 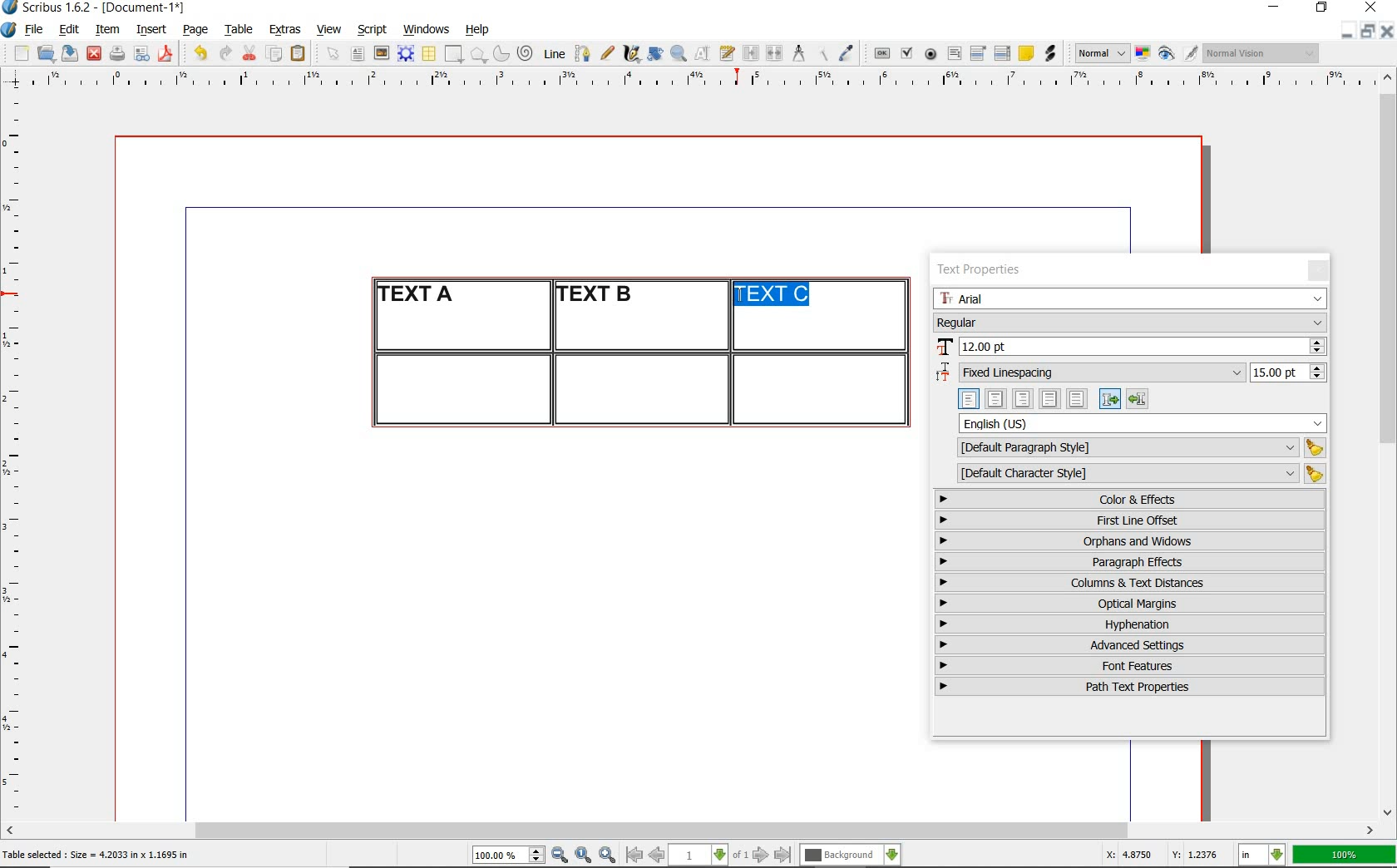 I want to click on hyphenation, so click(x=1130, y=624).